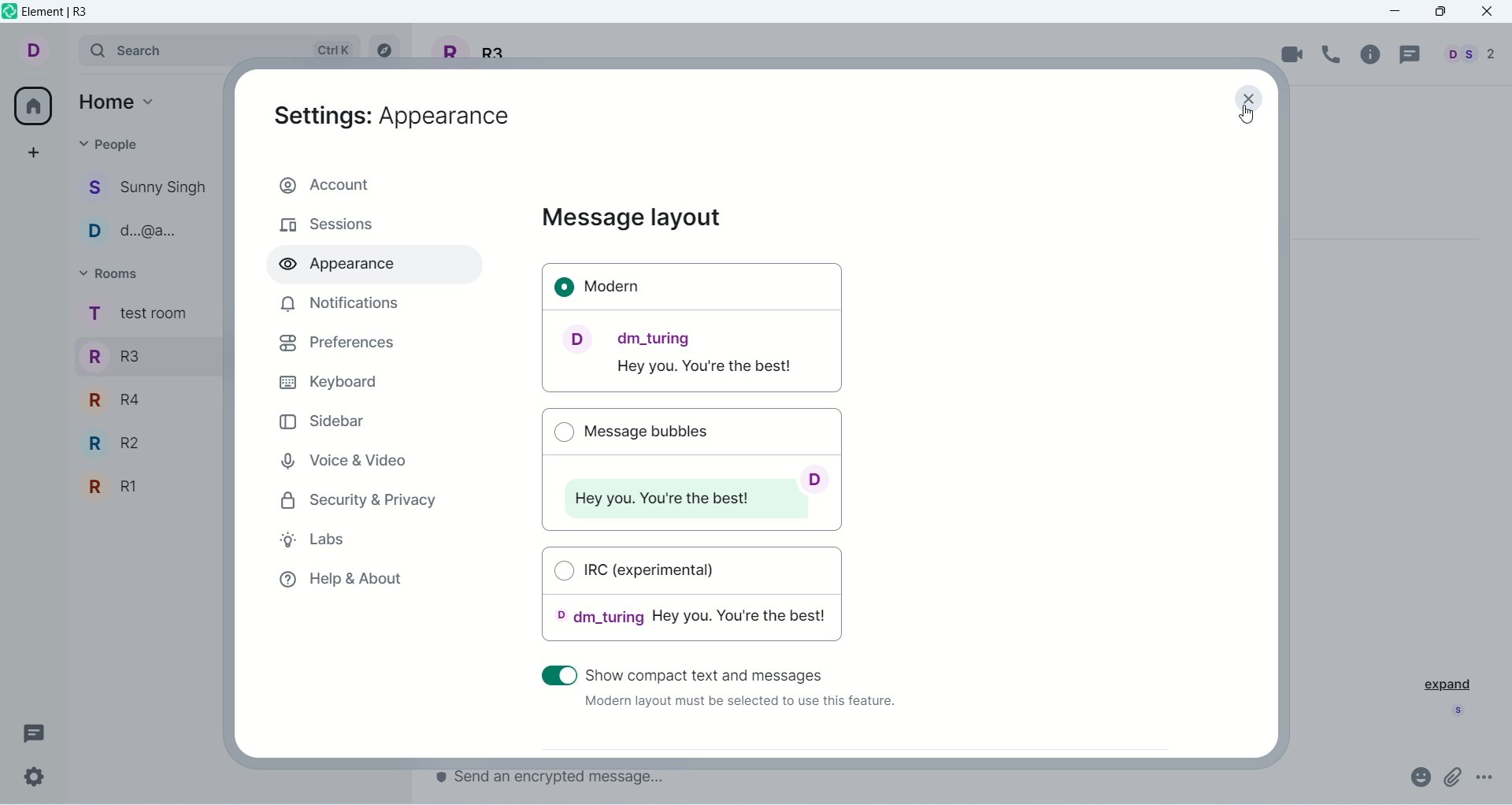 This screenshot has width=1512, height=805. I want to click on notification, so click(336, 303).